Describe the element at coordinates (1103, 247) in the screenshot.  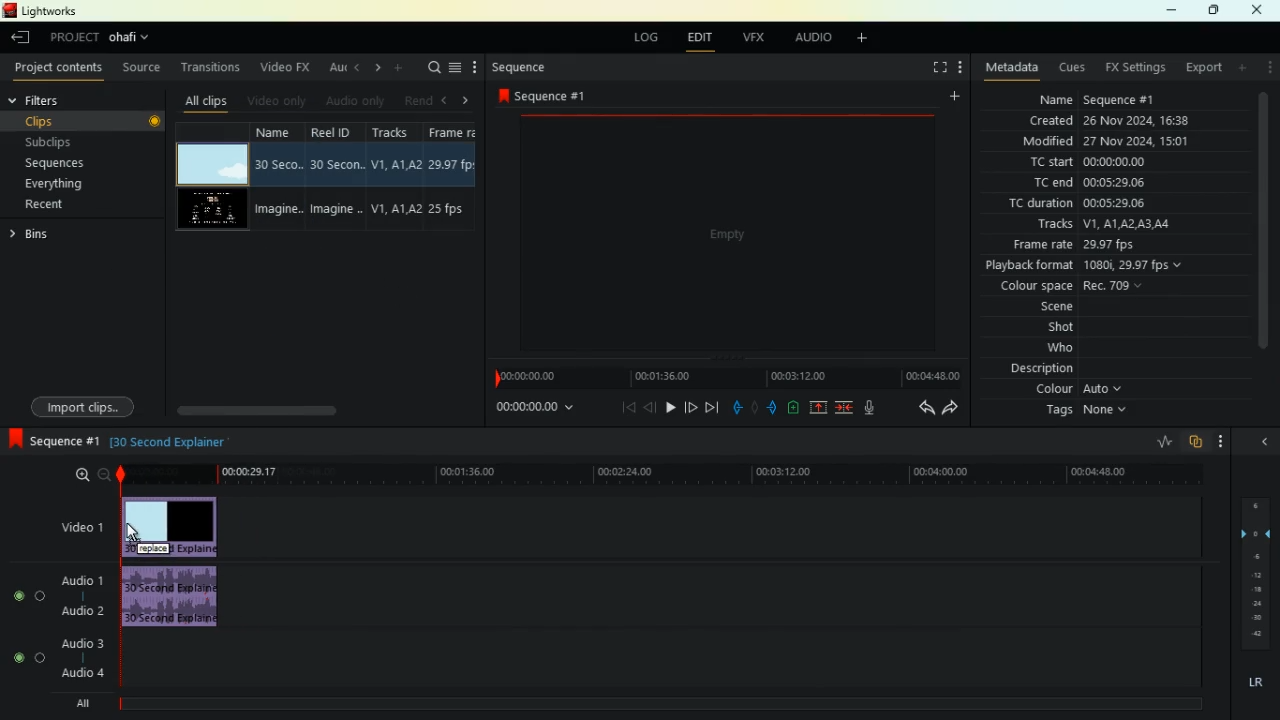
I see `frame rate` at that location.